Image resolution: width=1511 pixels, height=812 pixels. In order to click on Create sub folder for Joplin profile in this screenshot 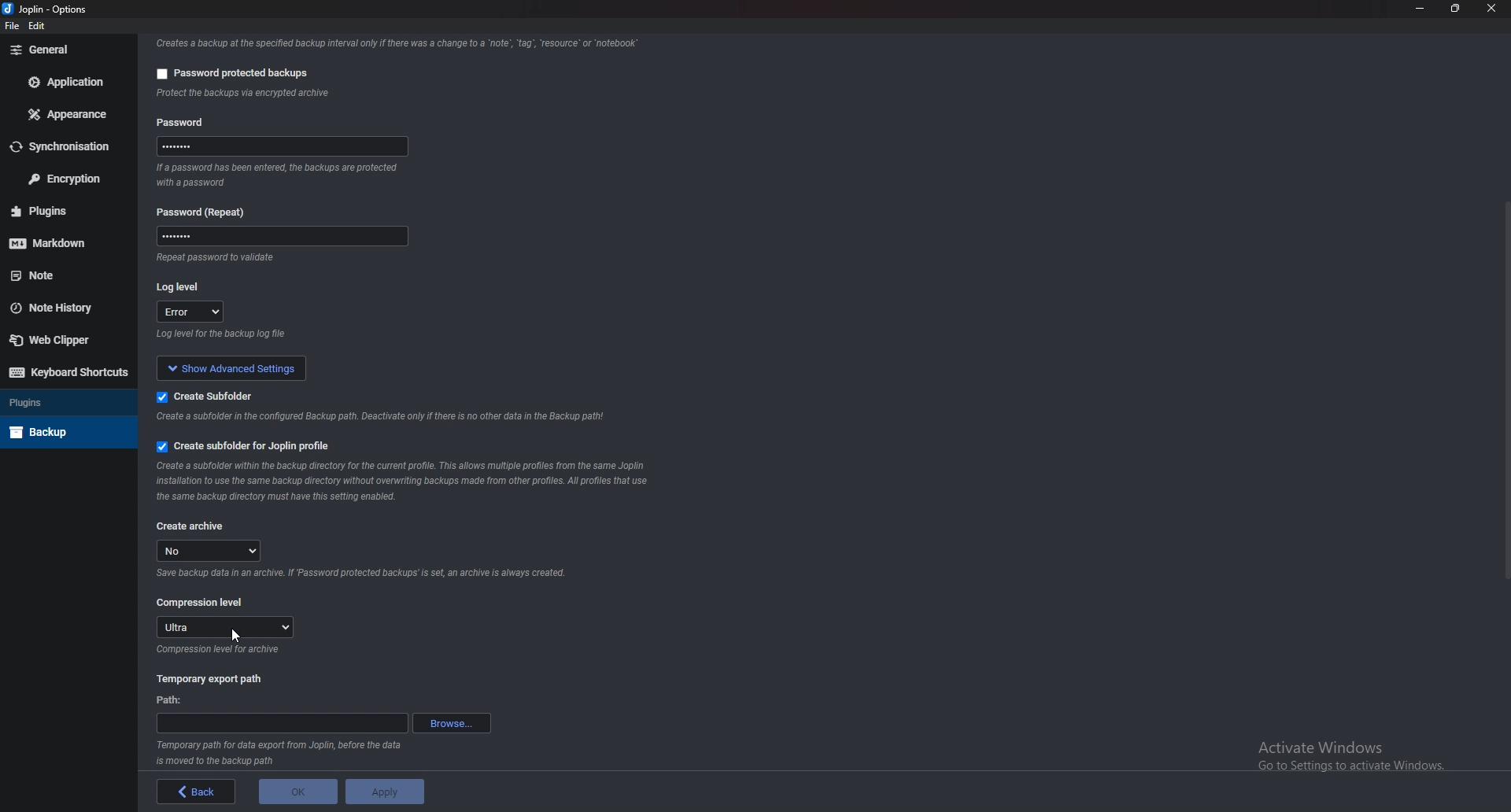, I will do `click(242, 447)`.